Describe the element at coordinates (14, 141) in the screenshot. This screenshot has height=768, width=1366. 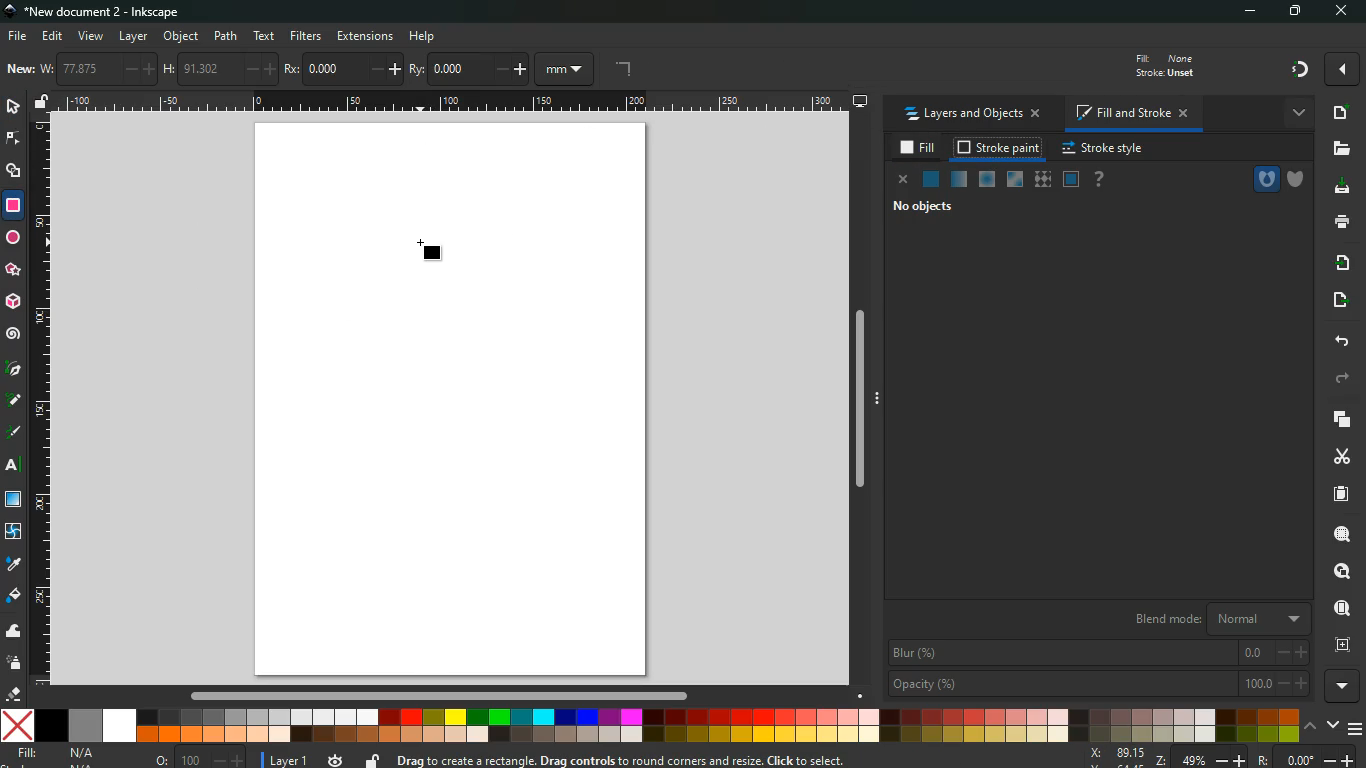
I see `edge` at that location.